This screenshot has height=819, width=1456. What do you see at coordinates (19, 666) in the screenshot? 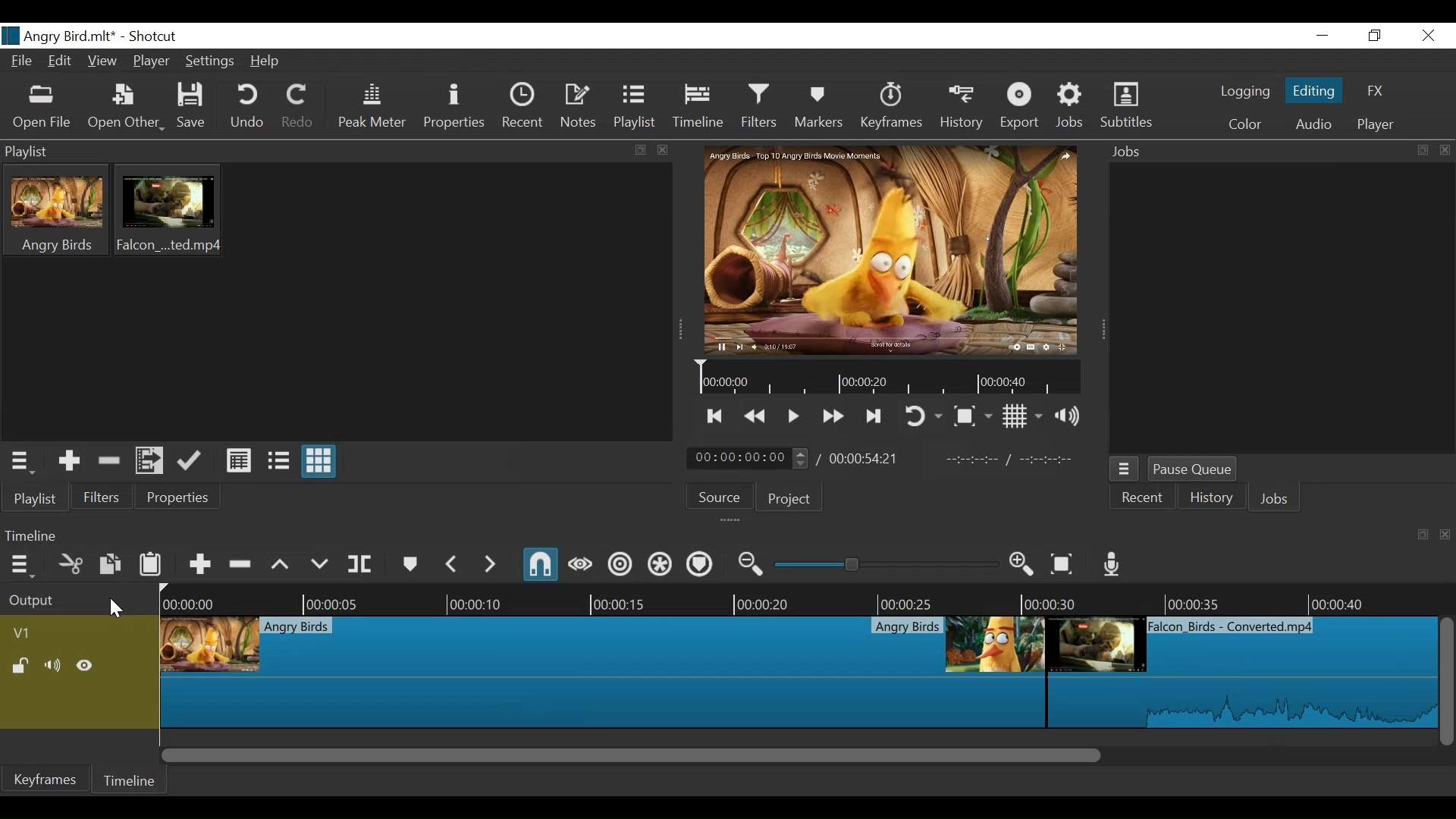
I see `(un)lock track` at bounding box center [19, 666].